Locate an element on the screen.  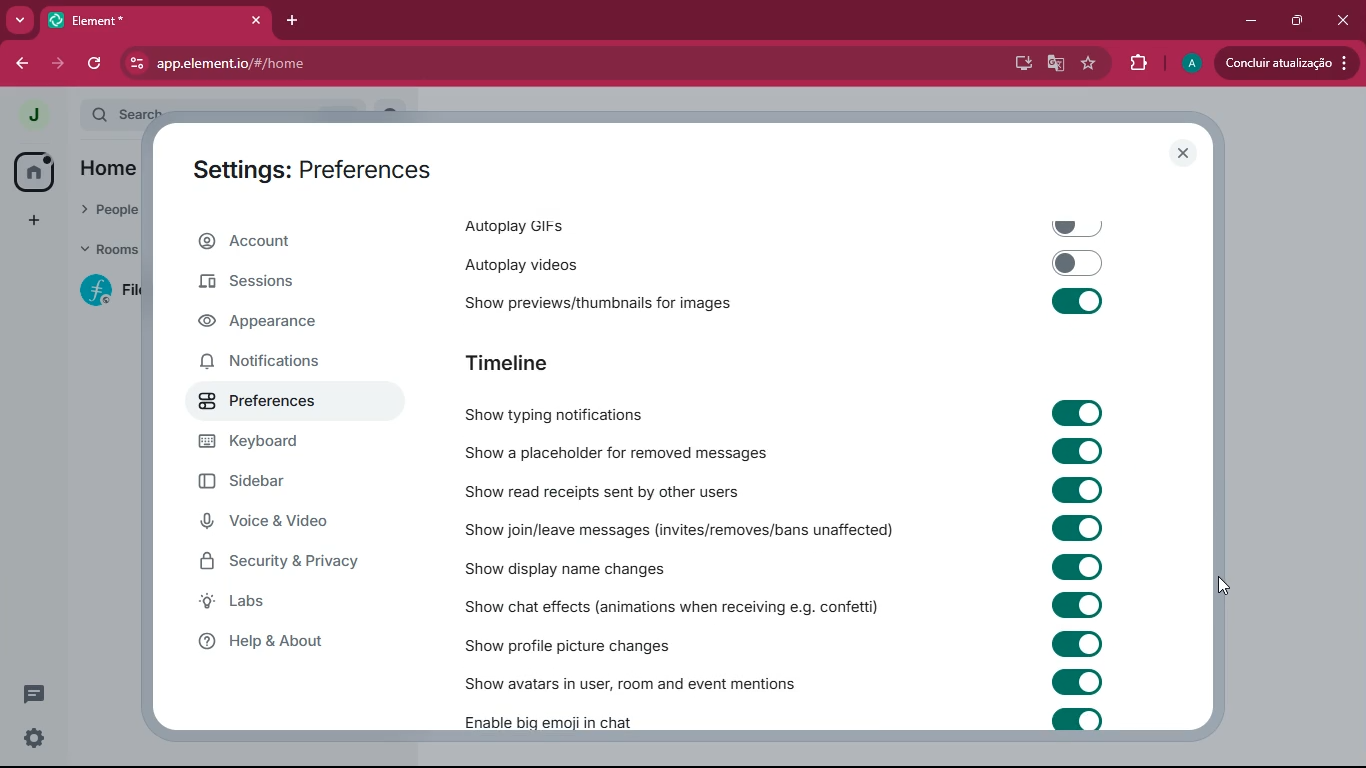
view profile  is located at coordinates (26, 115).